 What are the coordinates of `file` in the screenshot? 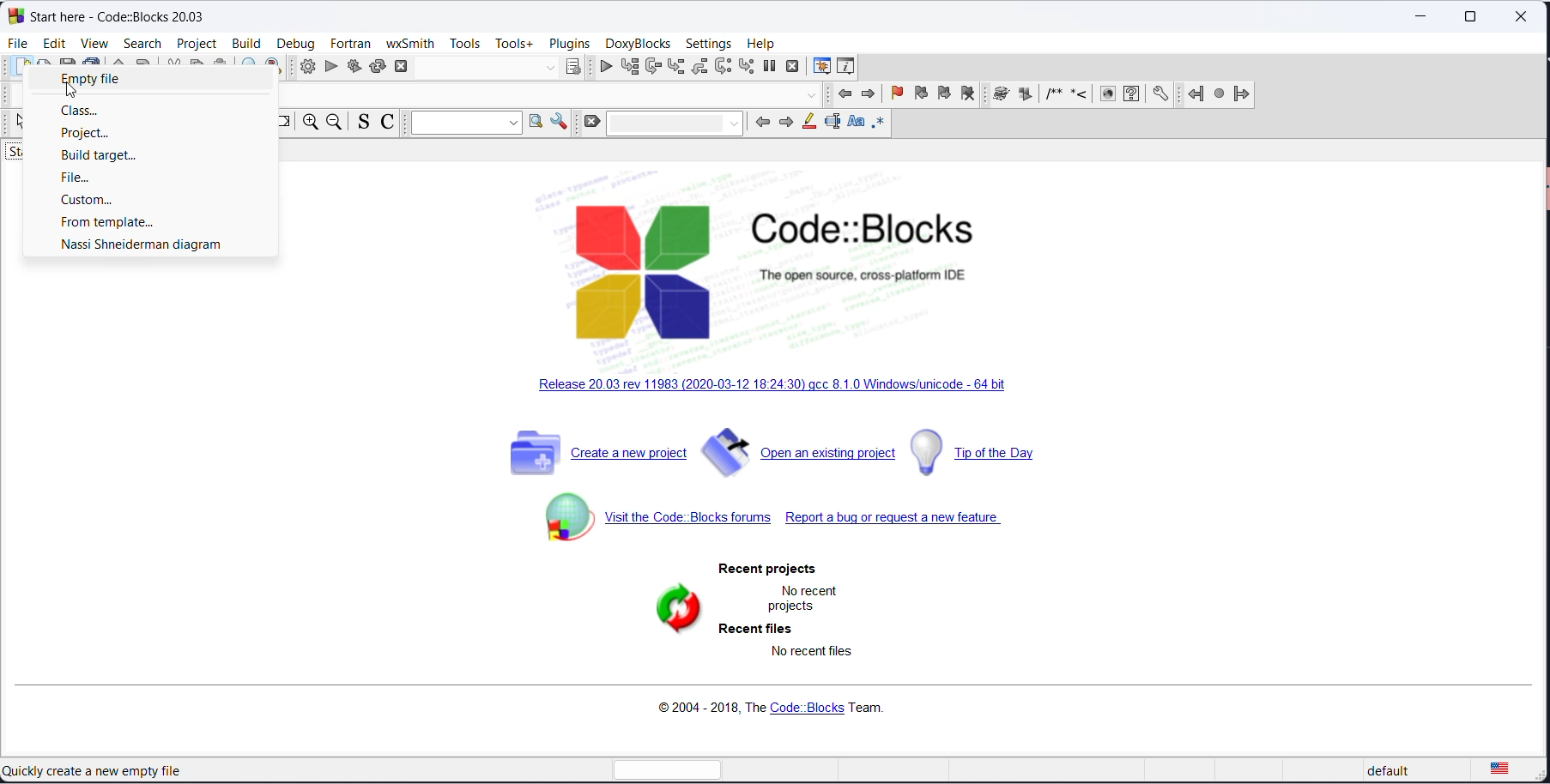 It's located at (147, 178).